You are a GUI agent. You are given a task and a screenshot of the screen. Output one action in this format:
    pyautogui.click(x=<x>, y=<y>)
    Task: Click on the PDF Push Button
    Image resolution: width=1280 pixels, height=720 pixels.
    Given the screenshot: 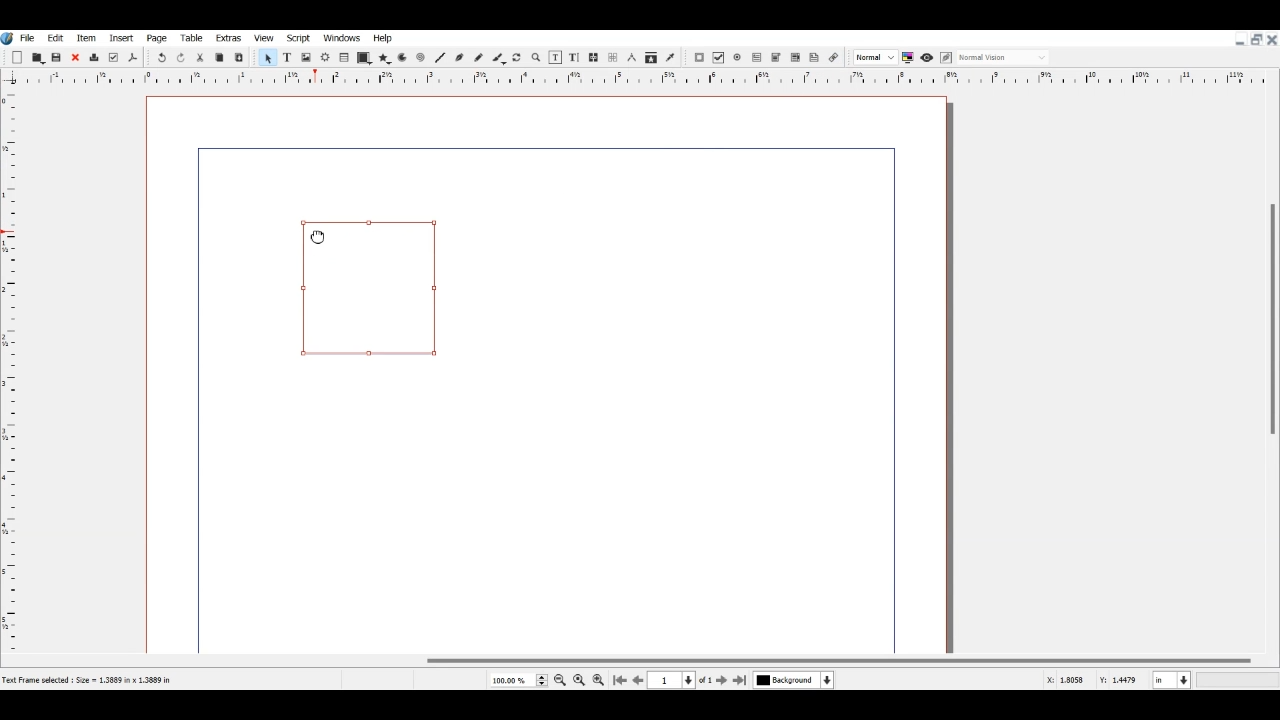 What is the action you would take?
    pyautogui.click(x=699, y=58)
    